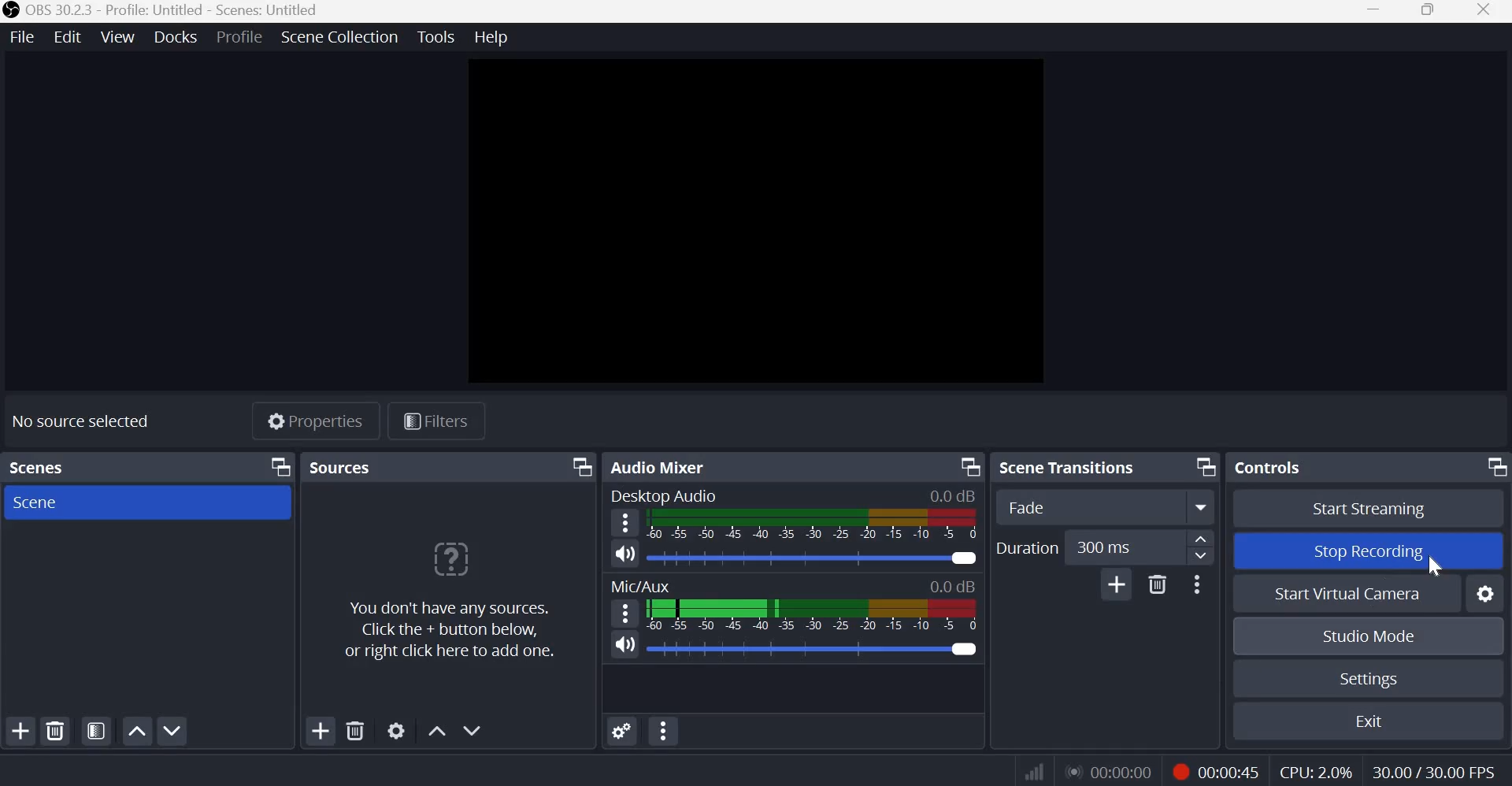 The height and width of the screenshot is (786, 1512). What do you see at coordinates (1425, 12) in the screenshot?
I see `Window size toggle` at bounding box center [1425, 12].